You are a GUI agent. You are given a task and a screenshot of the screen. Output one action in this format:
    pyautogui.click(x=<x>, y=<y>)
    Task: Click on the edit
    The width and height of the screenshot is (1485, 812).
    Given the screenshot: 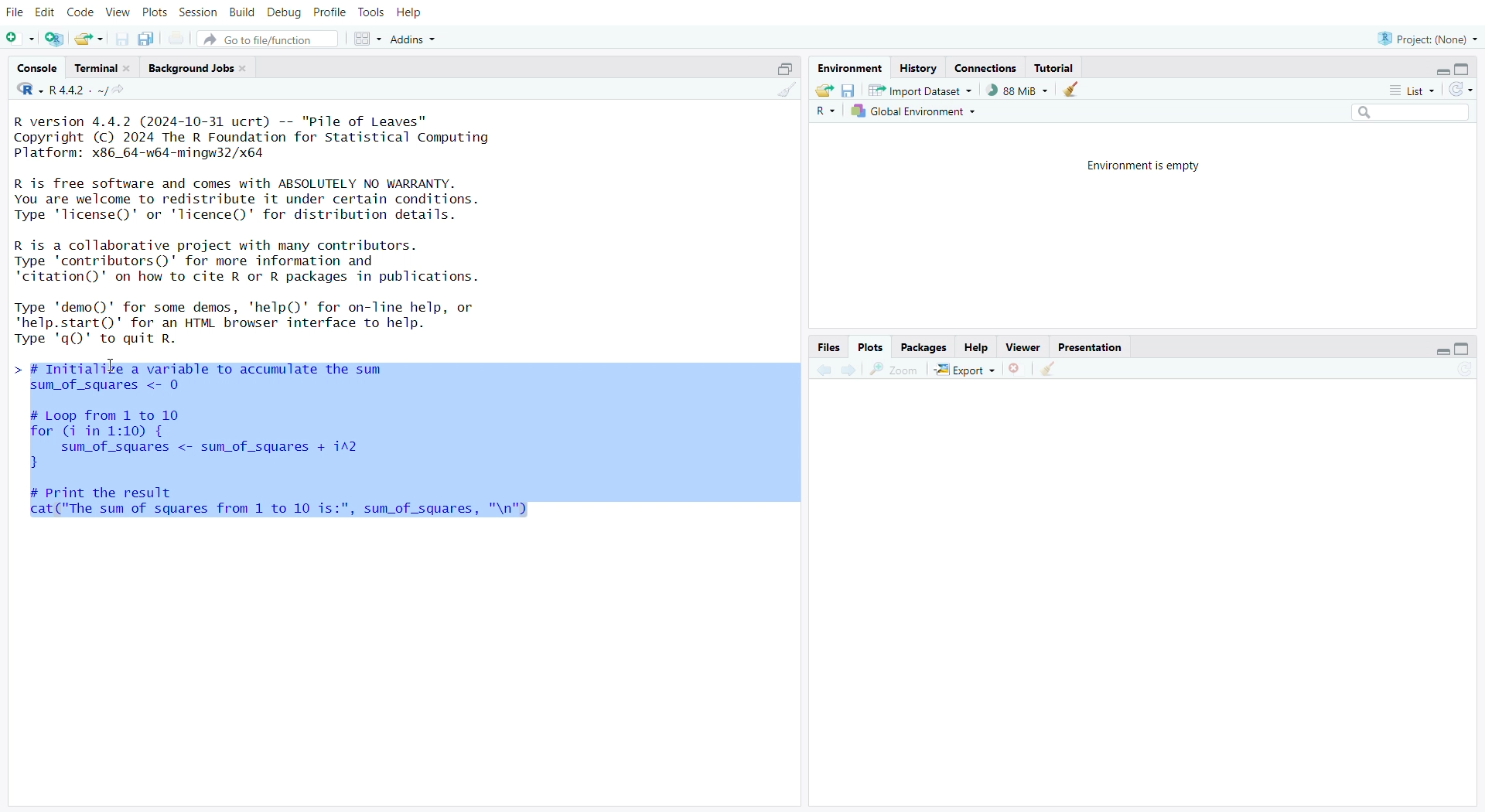 What is the action you would take?
    pyautogui.click(x=46, y=12)
    